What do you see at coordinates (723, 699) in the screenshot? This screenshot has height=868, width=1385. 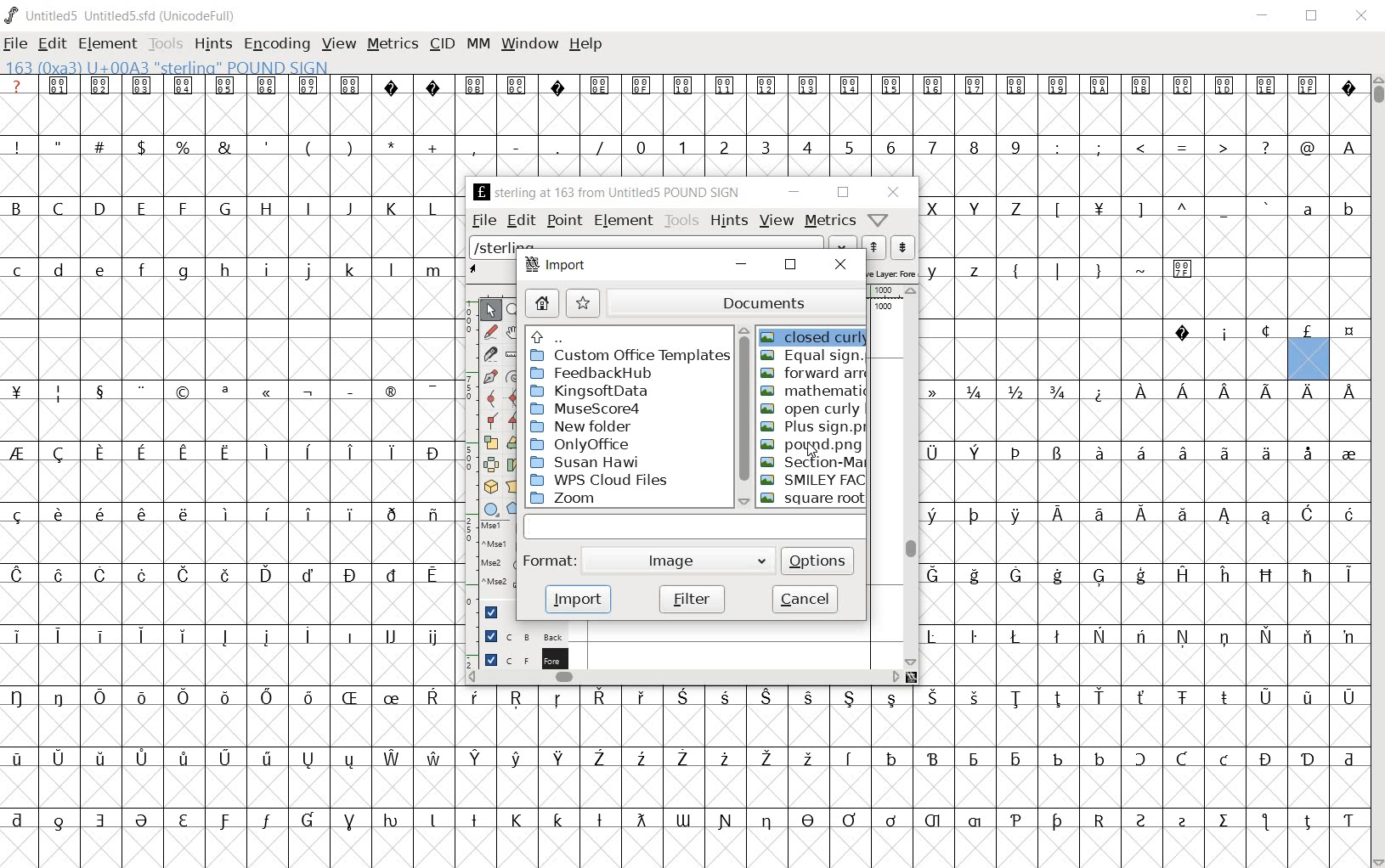 I see `Symbol` at bounding box center [723, 699].